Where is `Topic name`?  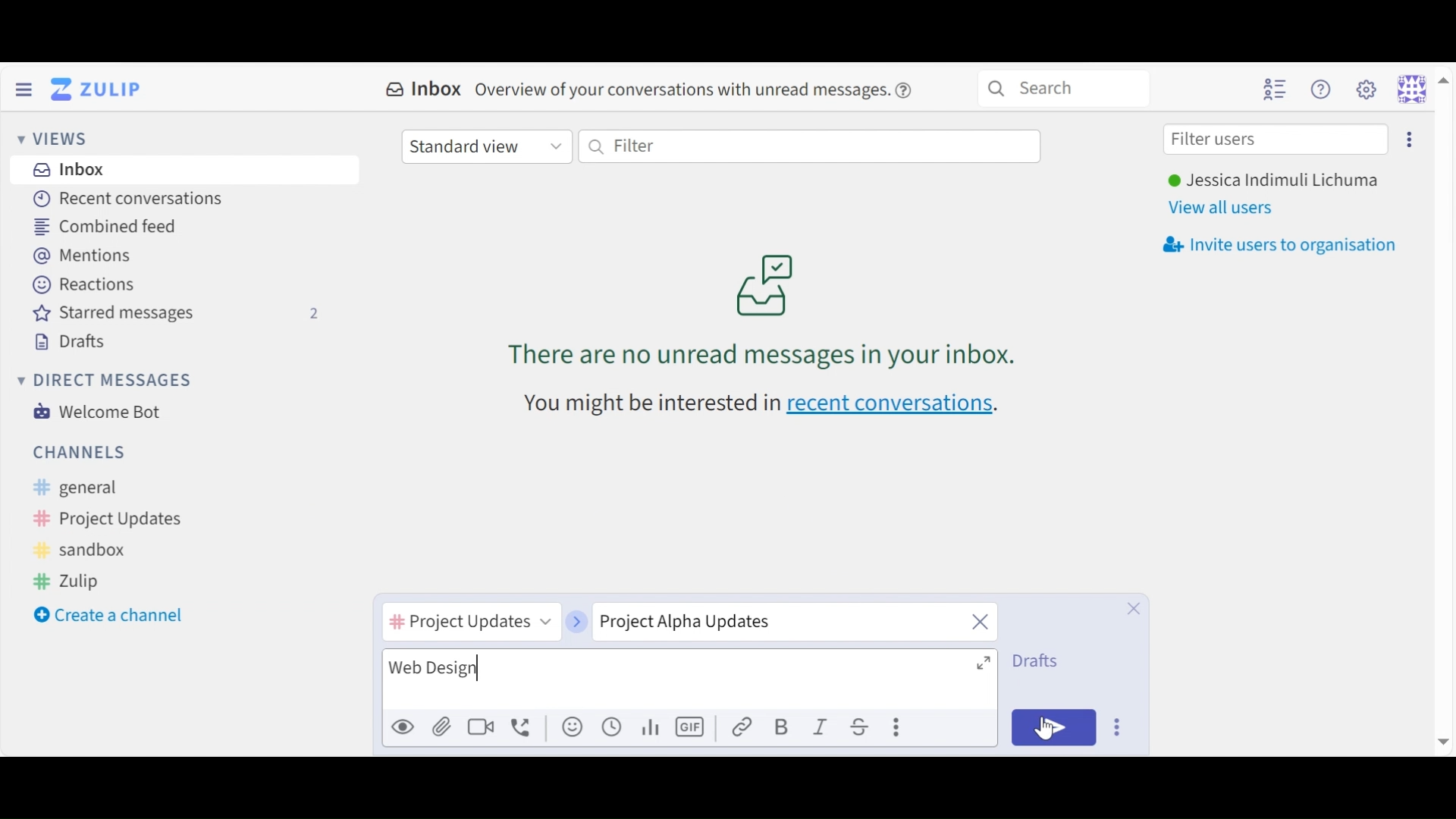
Topic name is located at coordinates (766, 623).